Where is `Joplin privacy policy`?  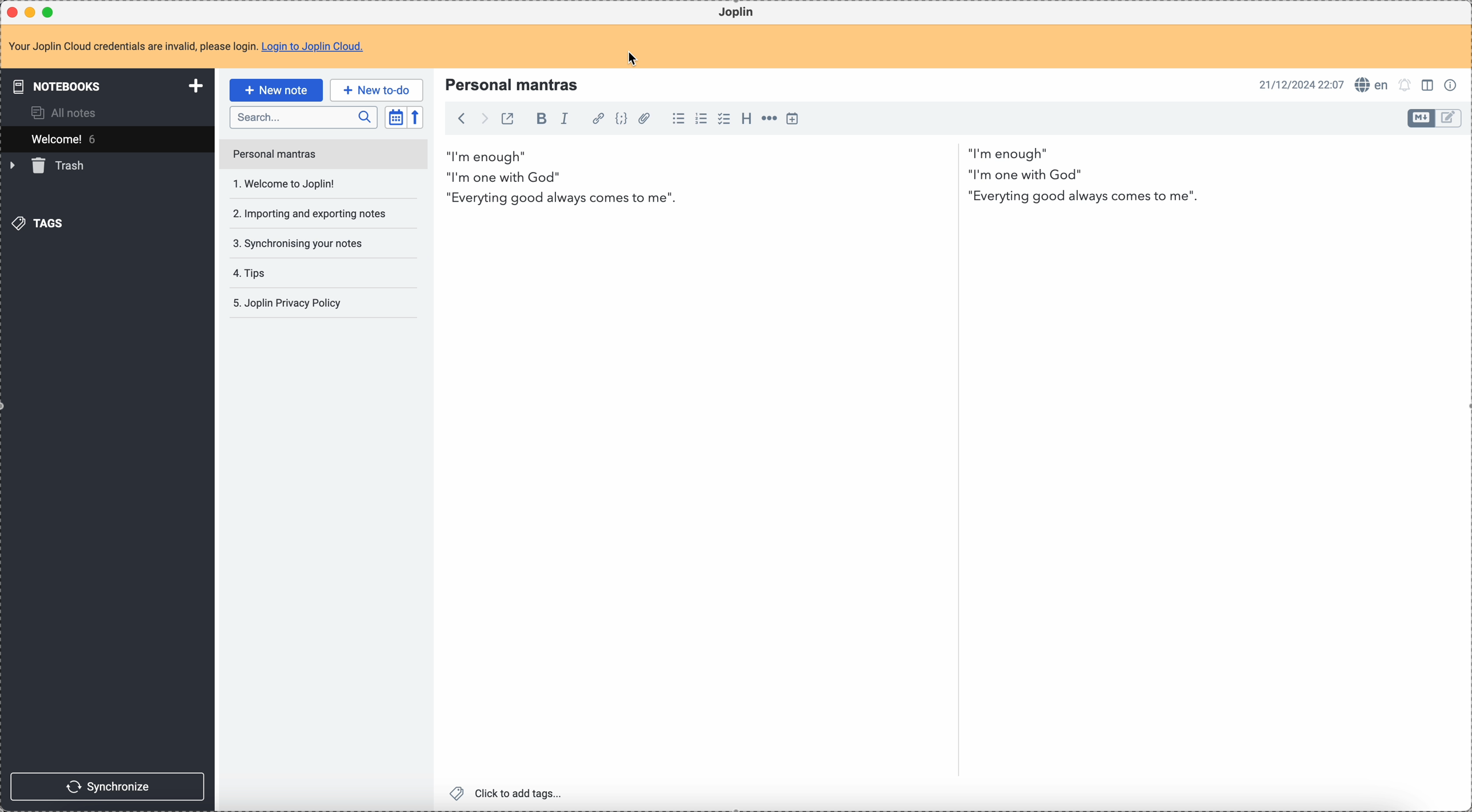
Joplin privacy policy is located at coordinates (289, 303).